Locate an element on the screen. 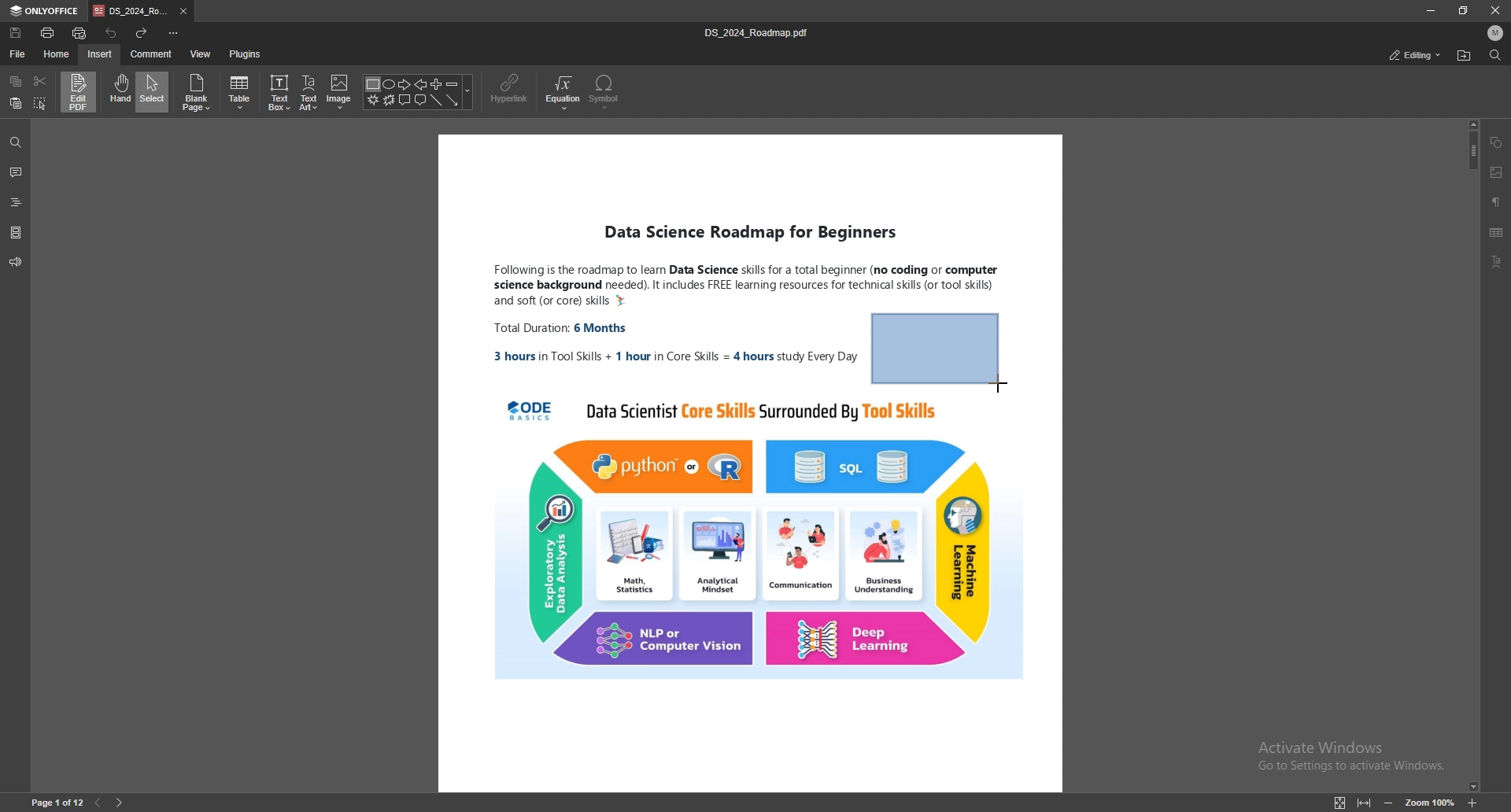  select is located at coordinates (41, 103).